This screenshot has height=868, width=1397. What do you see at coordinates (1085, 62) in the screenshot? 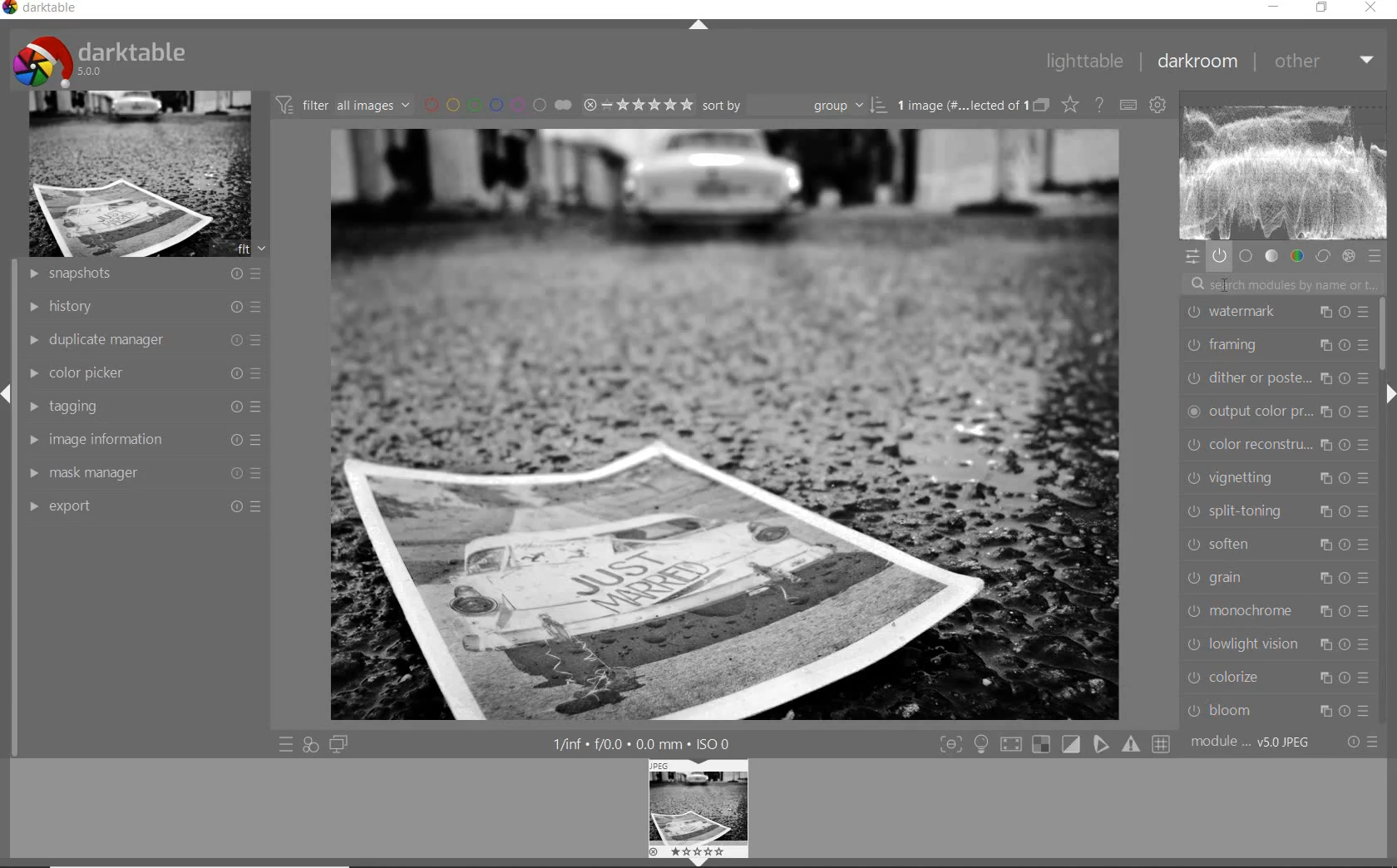
I see `lighttable` at bounding box center [1085, 62].